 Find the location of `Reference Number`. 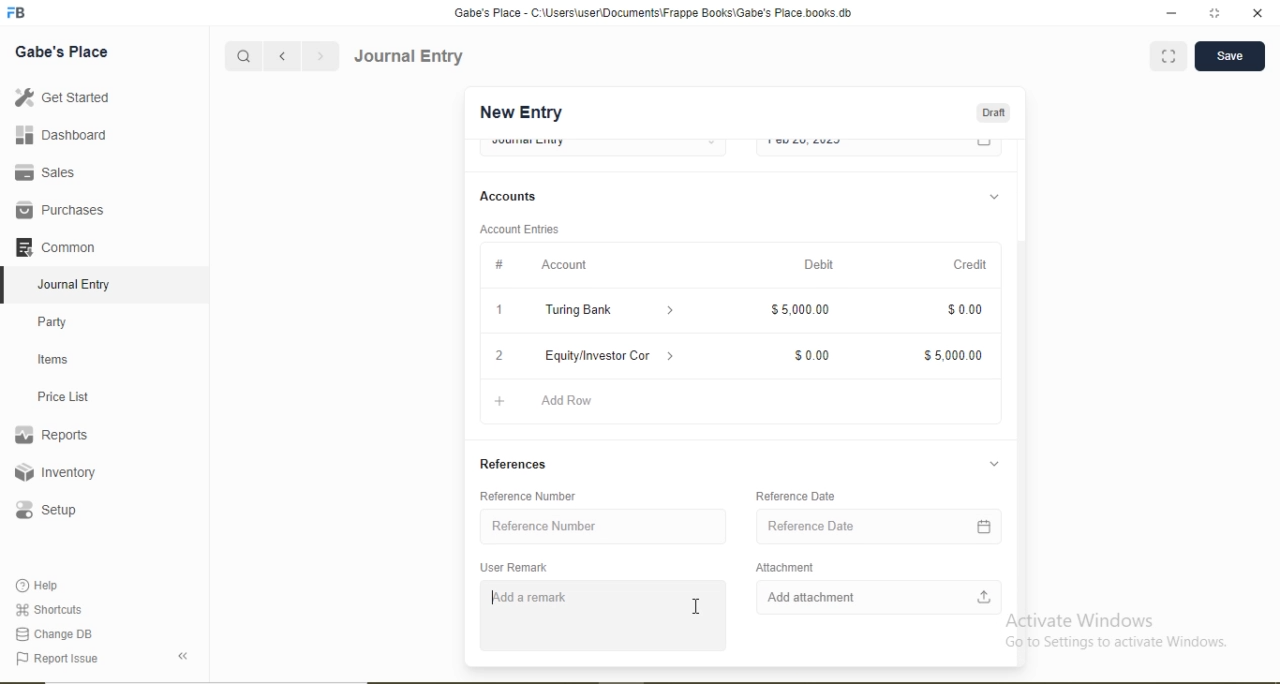

Reference Number is located at coordinates (545, 526).